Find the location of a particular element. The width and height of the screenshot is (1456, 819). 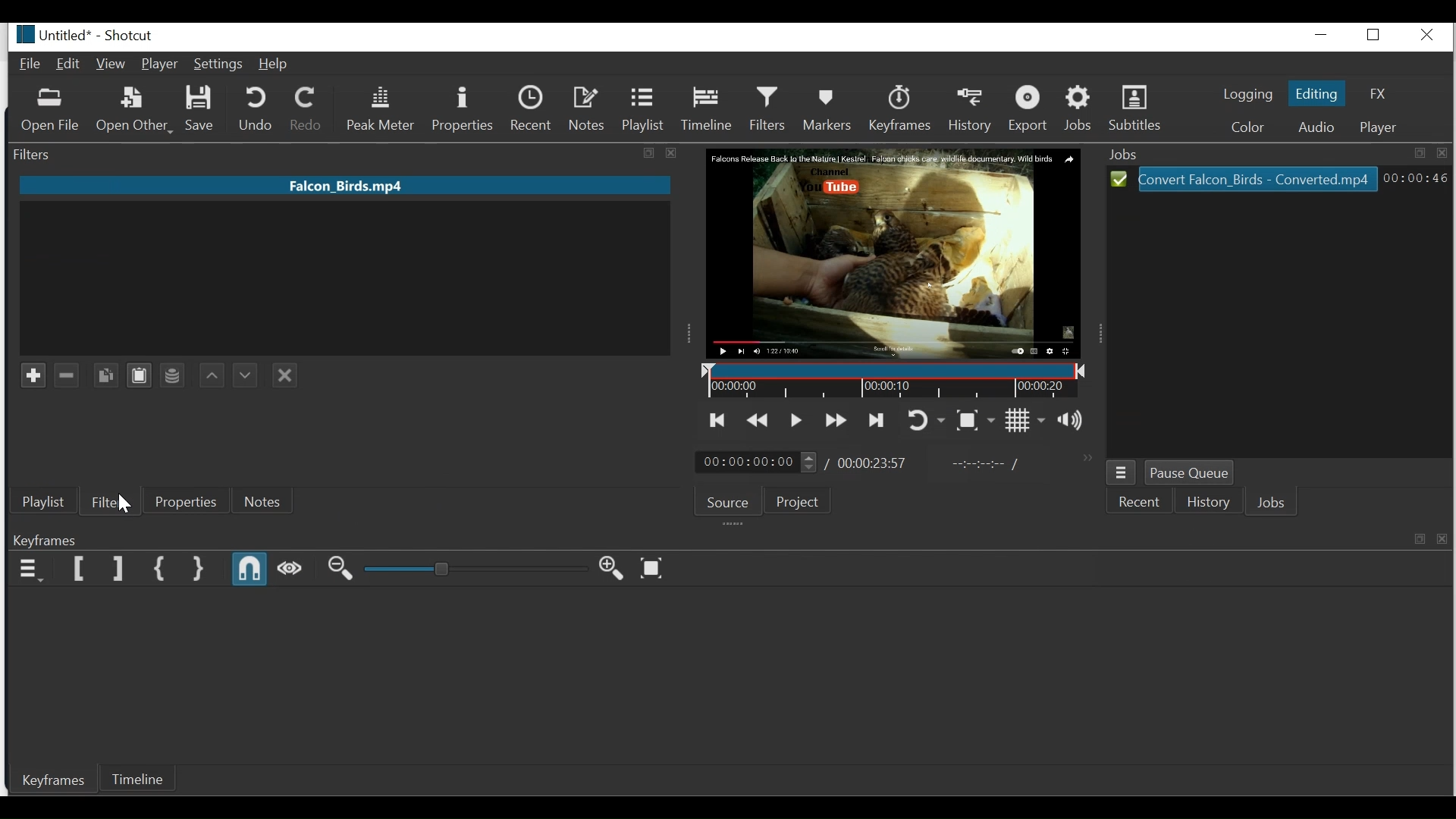

Falcon Release Back to the Nature | Kestrel. Falcon chicks care wildlife documentary. Wild Birds. Channel. You tube(Media viewer) is located at coordinates (893, 253).